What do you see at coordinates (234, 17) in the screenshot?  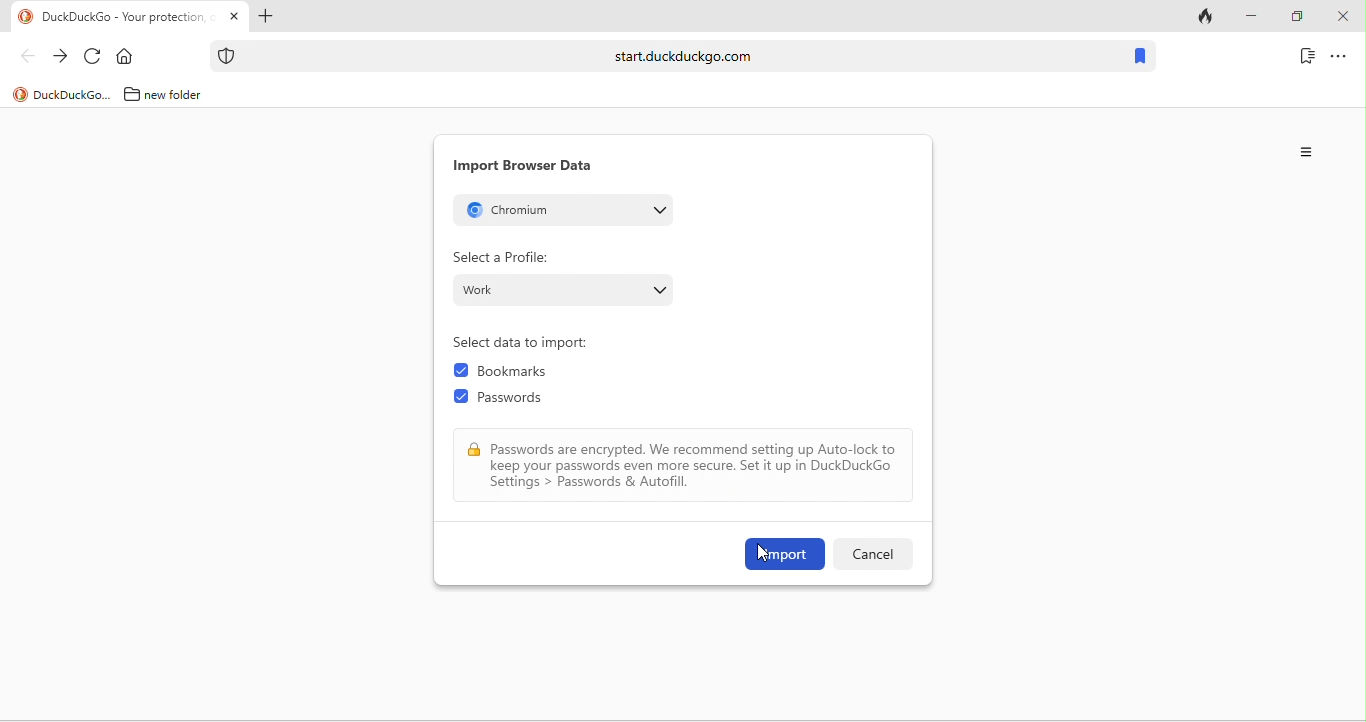 I see `close tab` at bounding box center [234, 17].